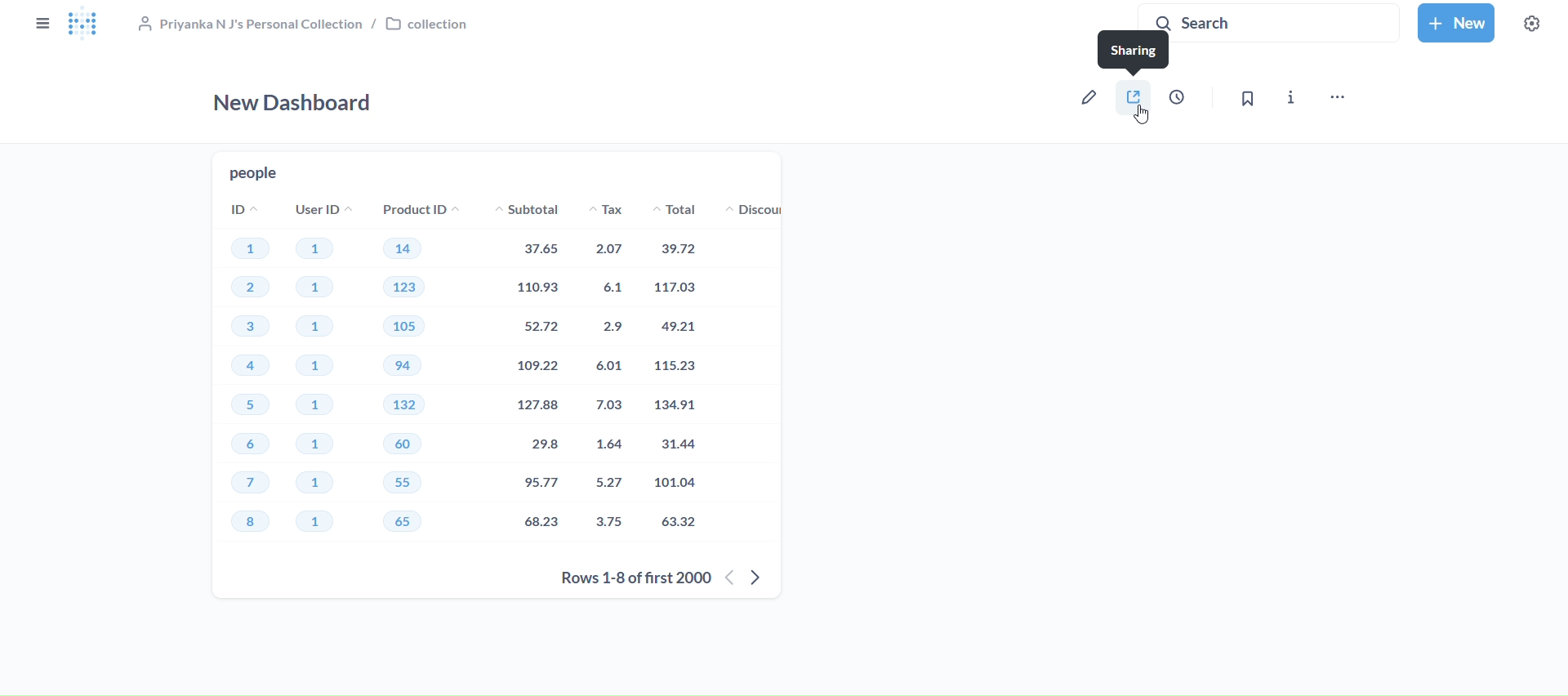 The height and width of the screenshot is (696, 1568). Describe the element at coordinates (87, 26) in the screenshot. I see `logo` at that location.